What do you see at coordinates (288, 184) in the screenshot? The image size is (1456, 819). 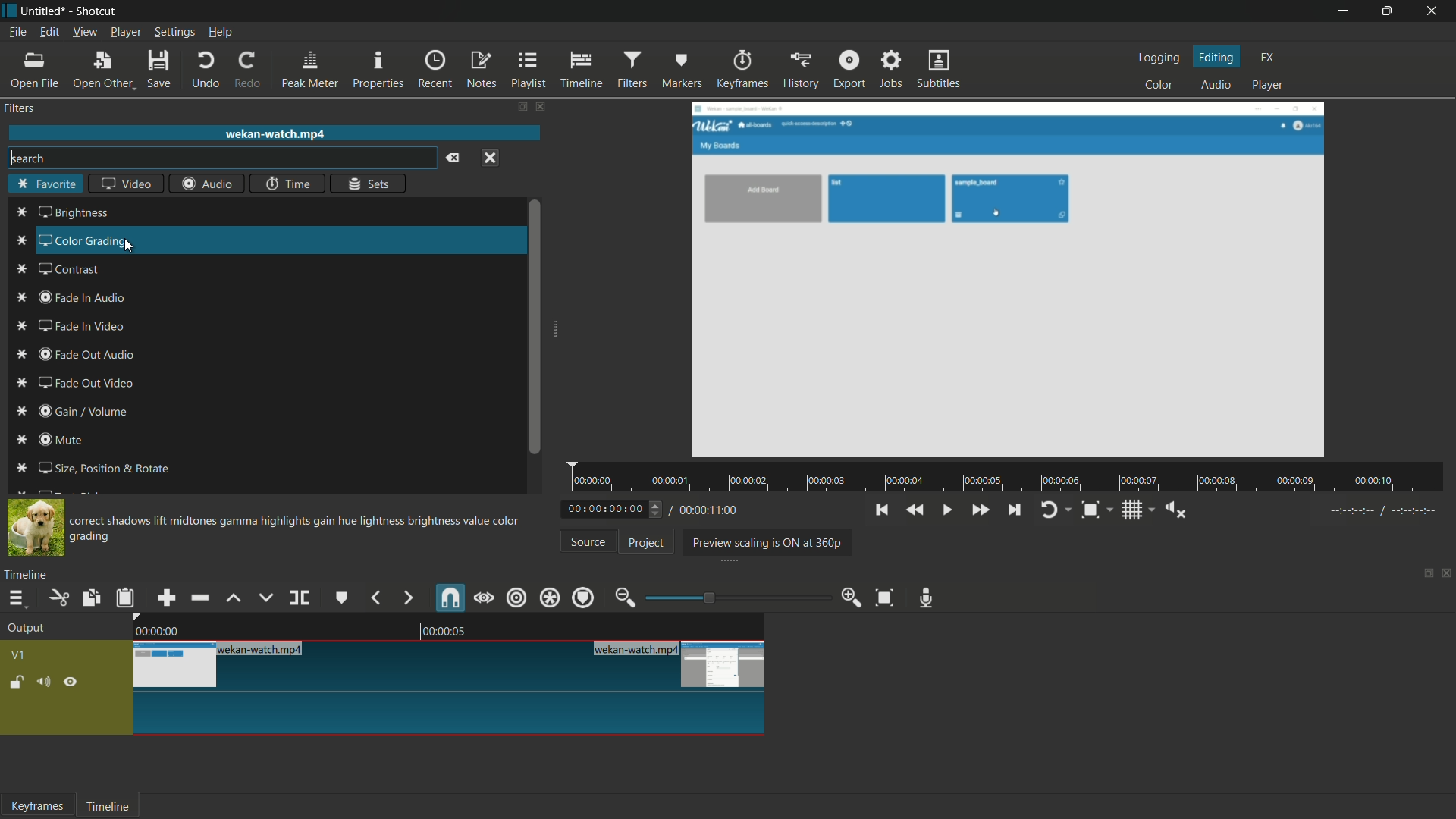 I see `time` at bounding box center [288, 184].